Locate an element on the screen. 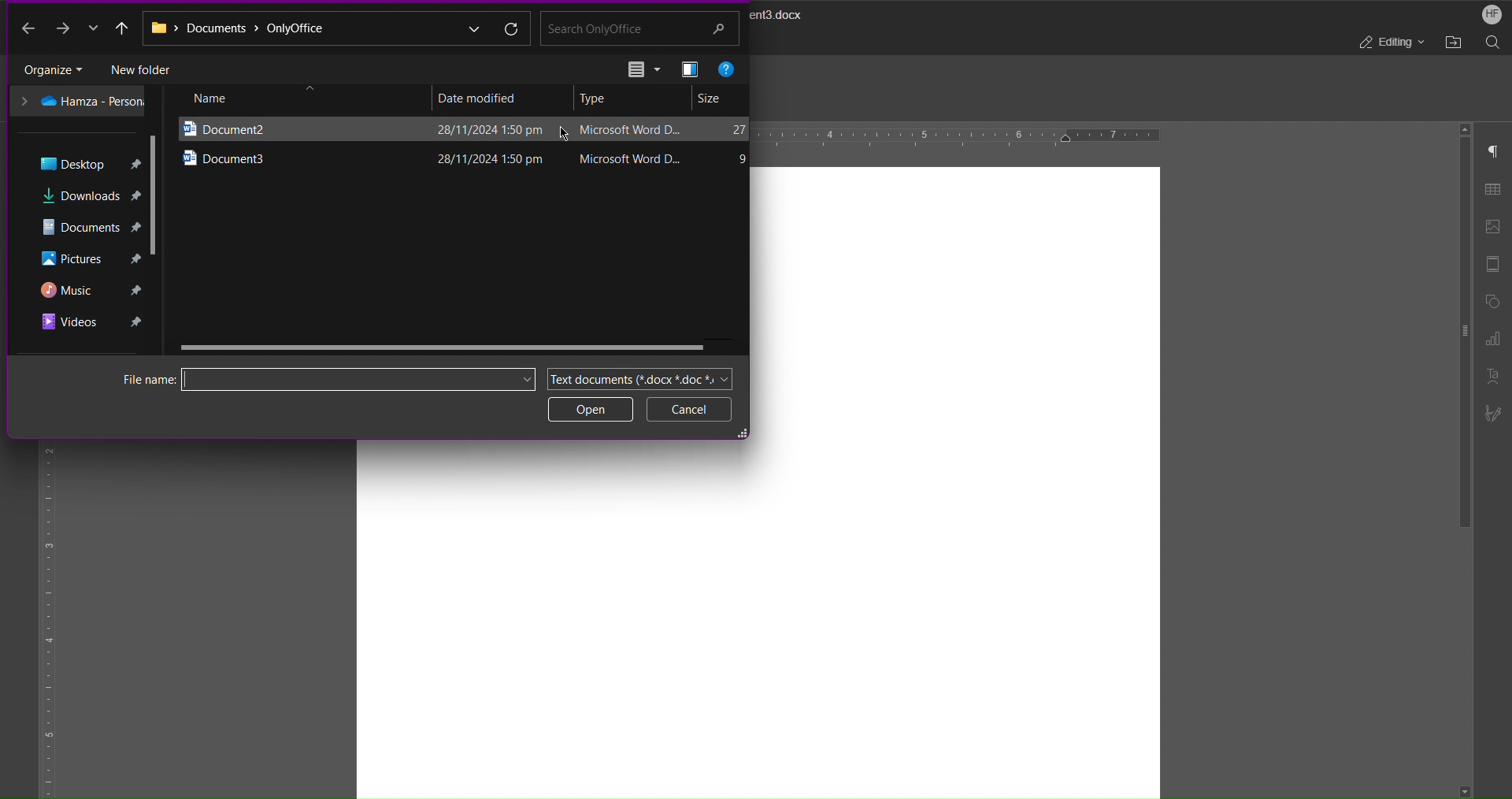 The width and height of the screenshot is (1512, 799). Text Art is located at coordinates (1494, 376).